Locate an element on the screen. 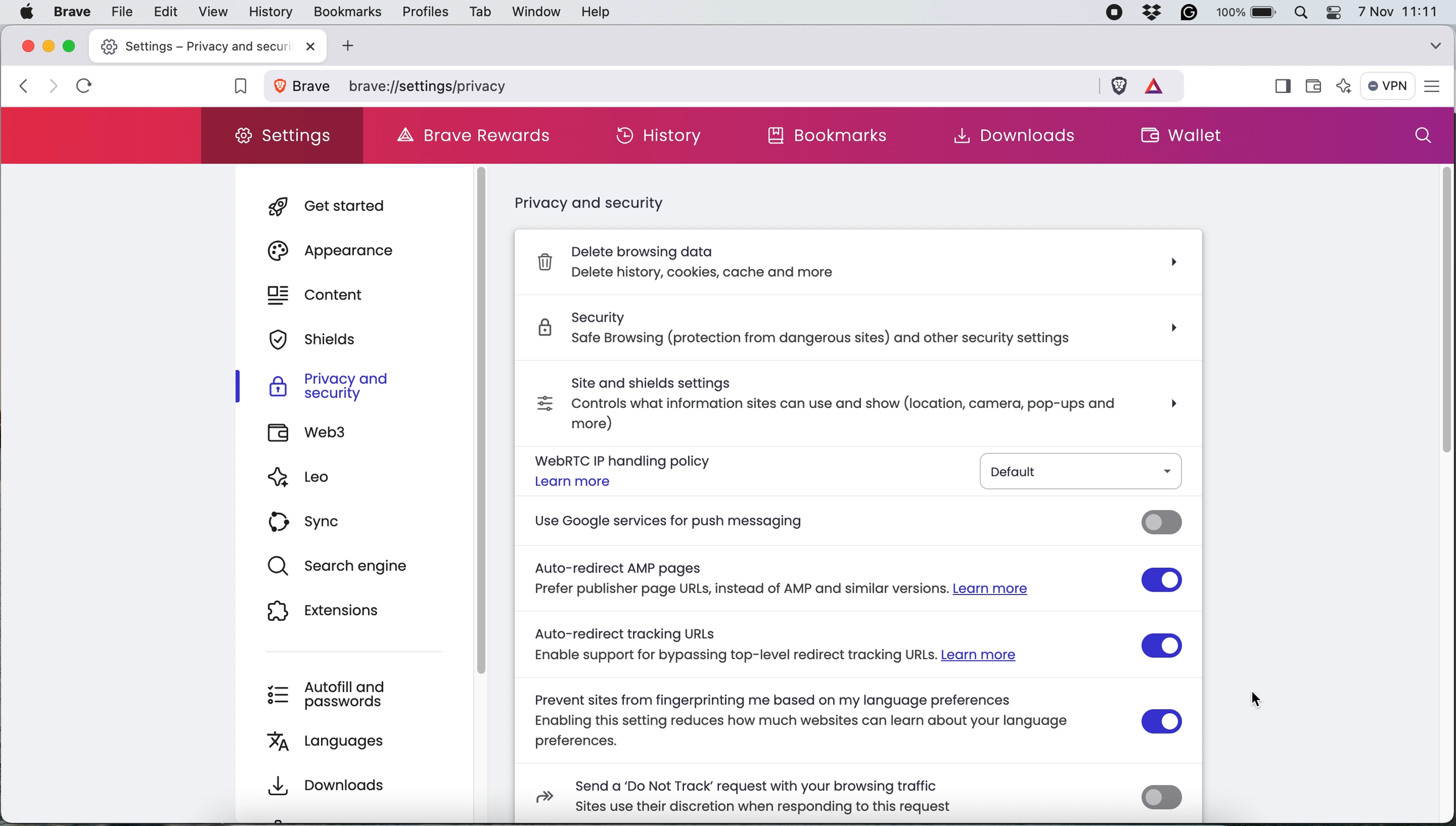 This screenshot has height=826, width=1456. Auto-redirect tracking URLs
Enable support for bypassing top-level redirect tracking URLs. Learn more is located at coordinates (832, 646).